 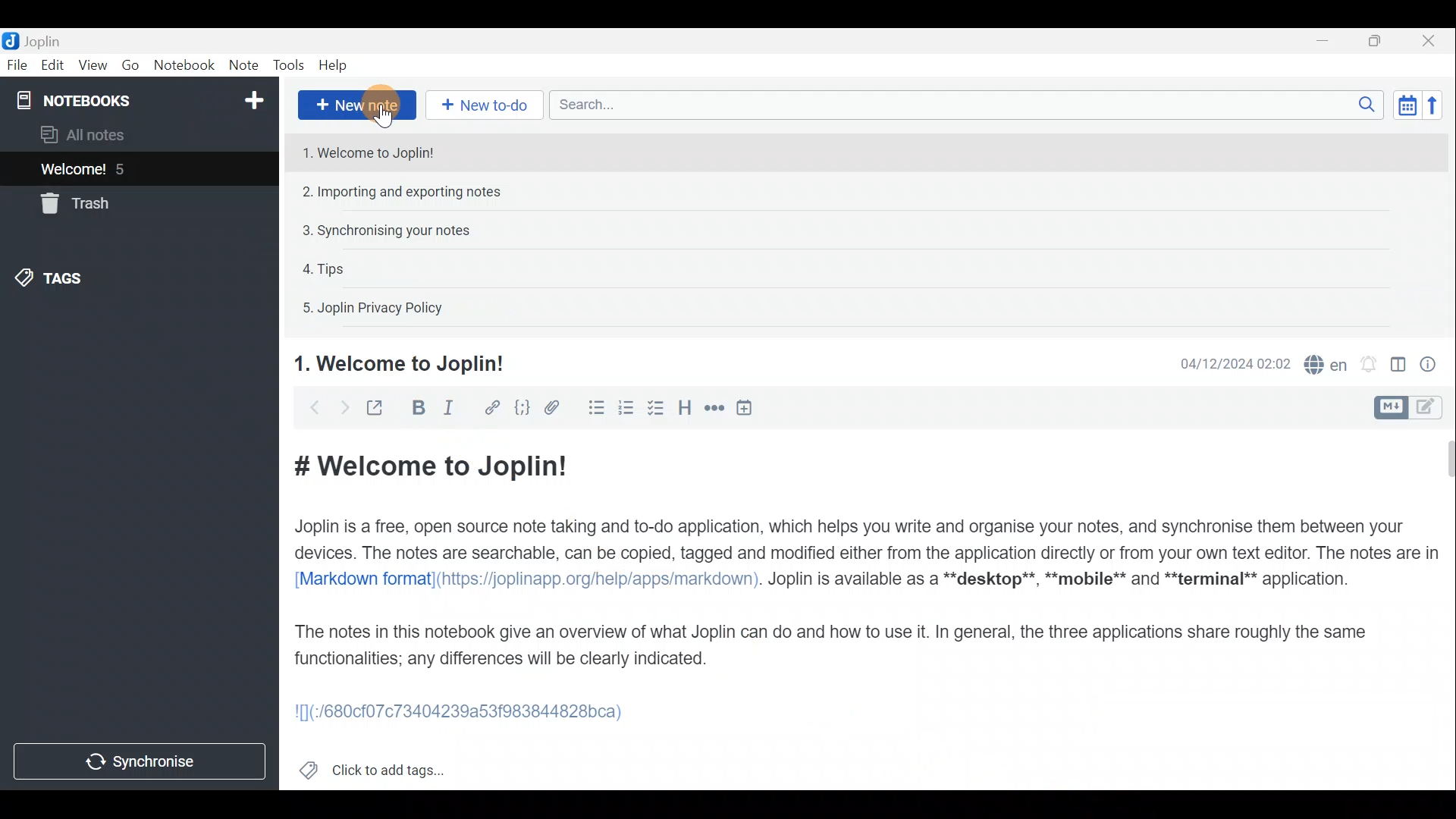 I want to click on Joplin is a free, open source note taking and to-do application, which helps you write and organise your notes, and synchronise them between your
devices. The notes are searchable, can be copied, tagged and modified either from the application directly or from your own text editor. The notes are in
[Markdown format] (https://joplinapp.org/help/apps/markdown). Joplin is available as a **desktop**, **mobile** and **terminal** application., so click(x=868, y=552).